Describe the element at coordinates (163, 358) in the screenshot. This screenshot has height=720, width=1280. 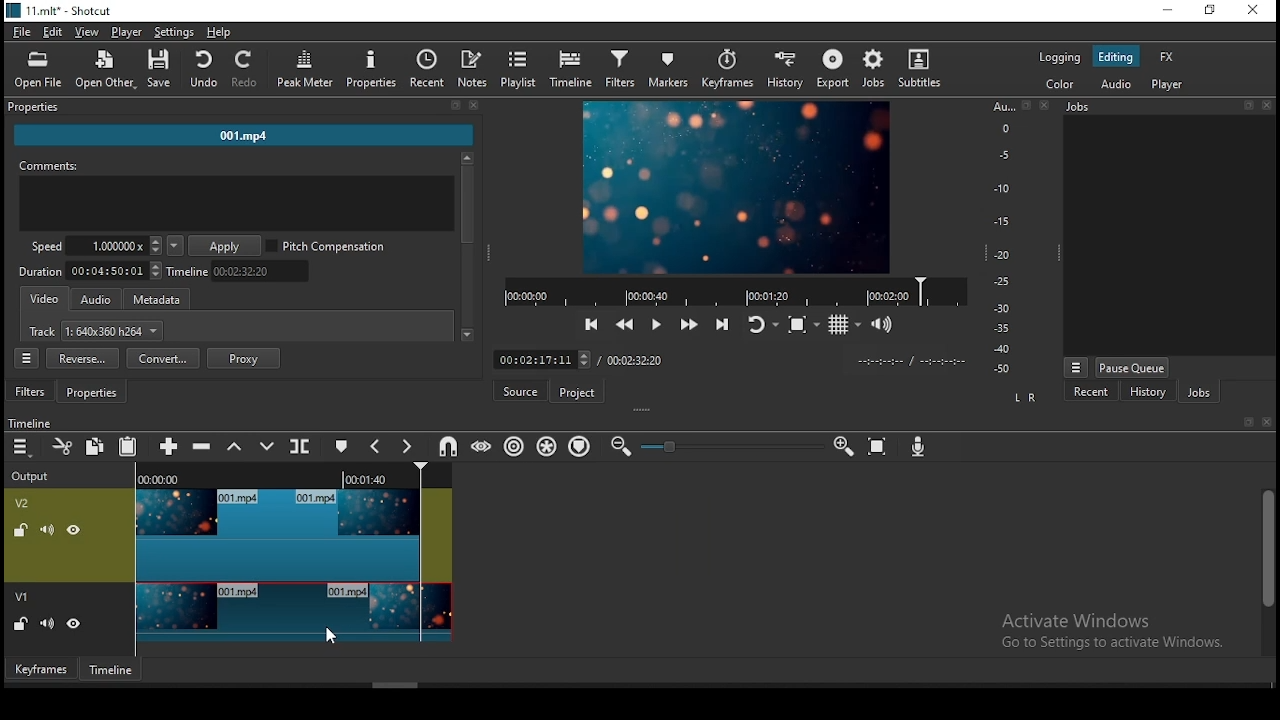
I see `convert` at that location.